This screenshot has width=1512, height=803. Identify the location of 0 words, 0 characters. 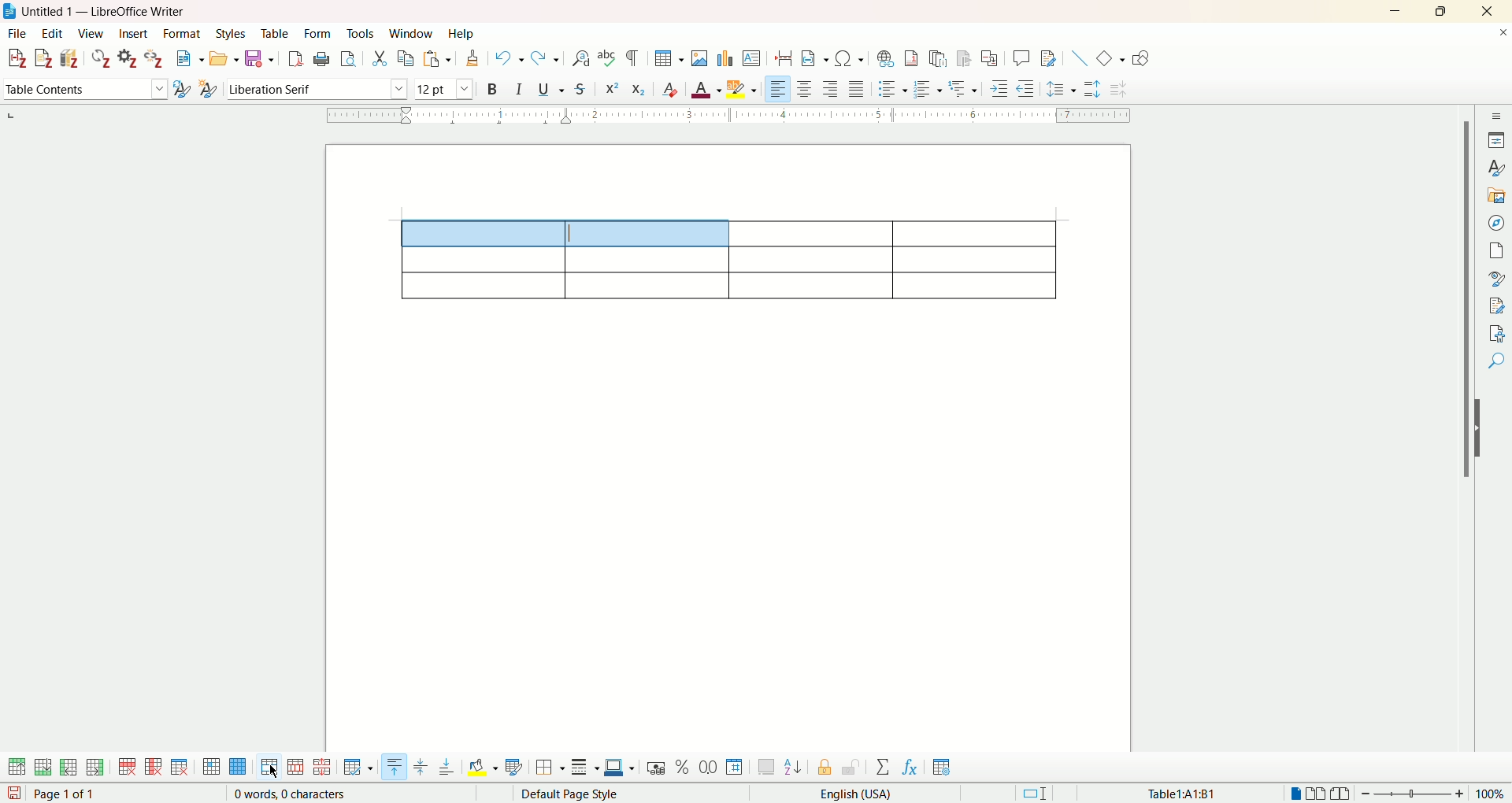
(292, 793).